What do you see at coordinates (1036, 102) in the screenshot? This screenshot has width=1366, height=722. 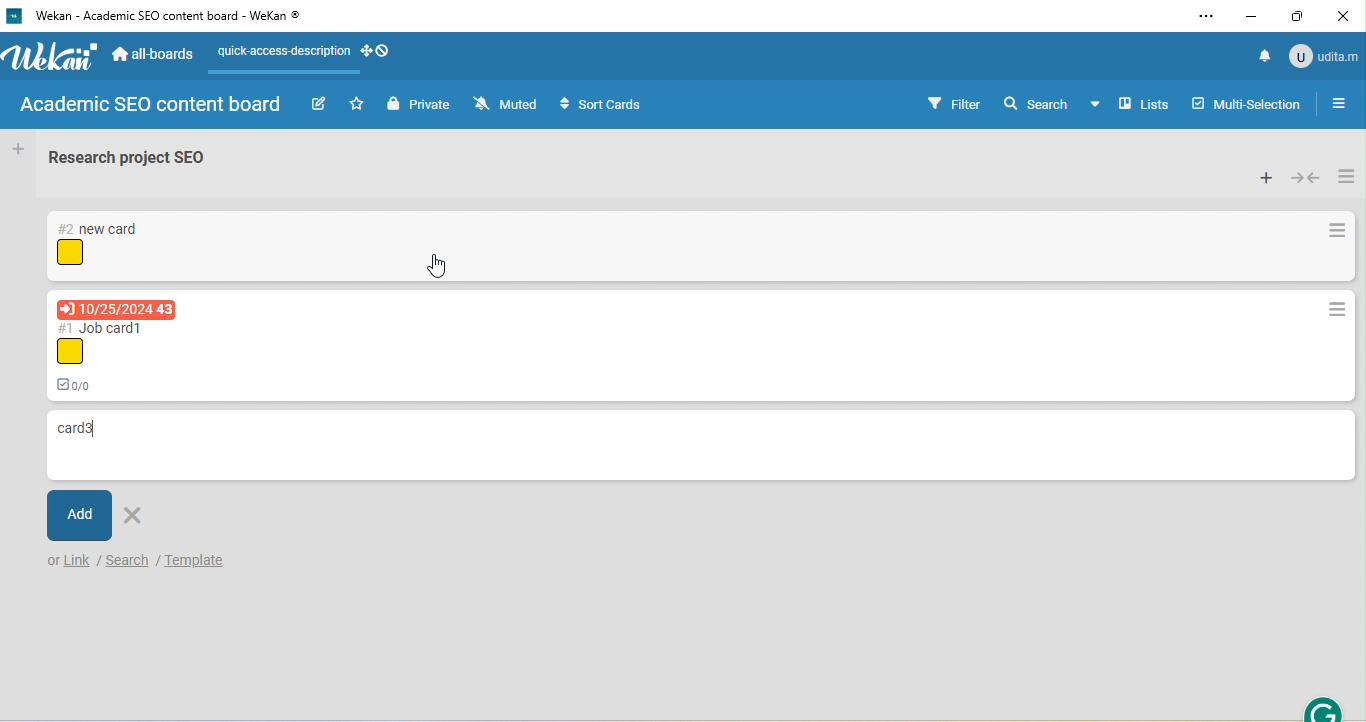 I see `search` at bounding box center [1036, 102].